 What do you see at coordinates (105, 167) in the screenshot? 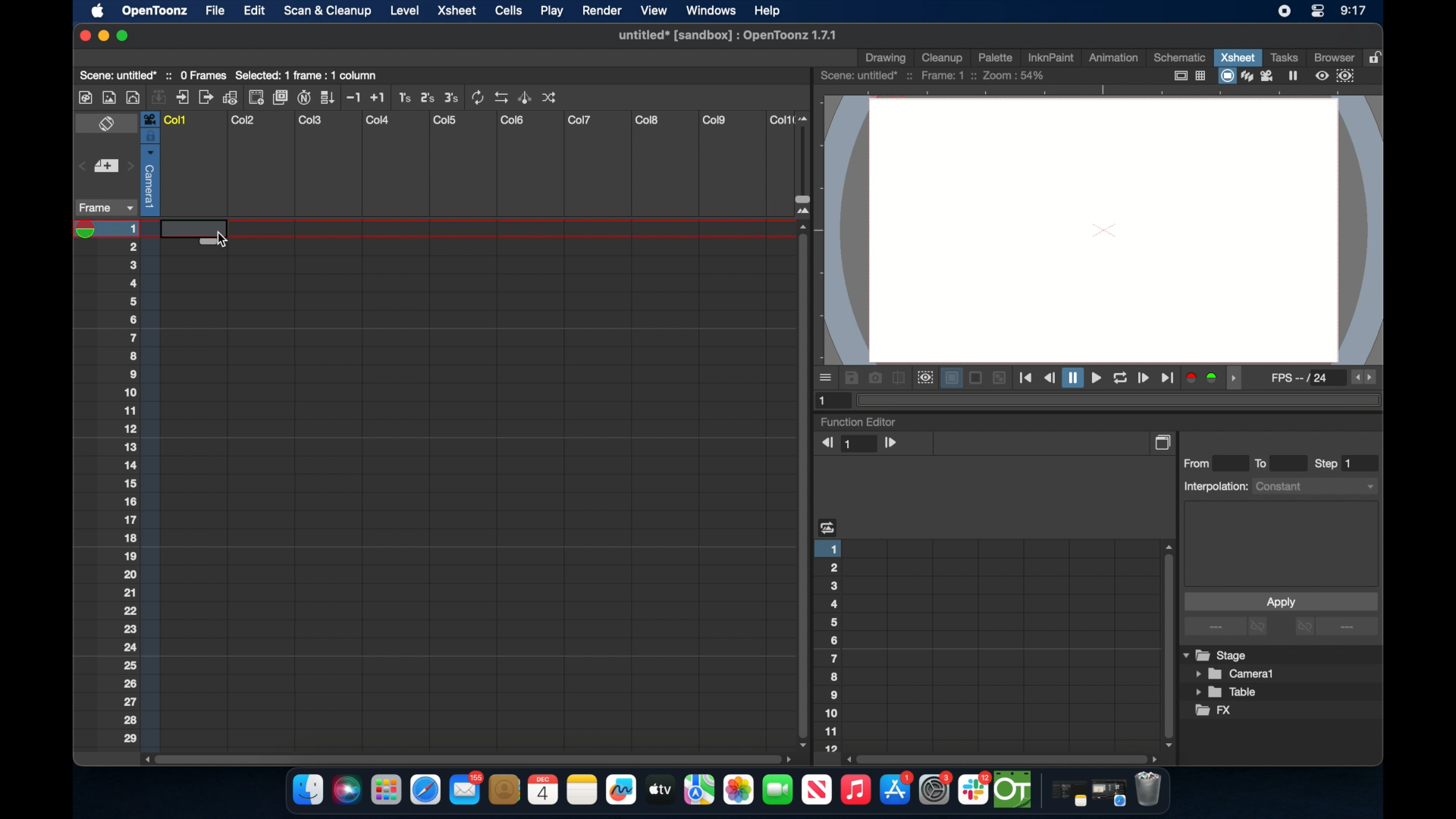
I see `set` at bounding box center [105, 167].